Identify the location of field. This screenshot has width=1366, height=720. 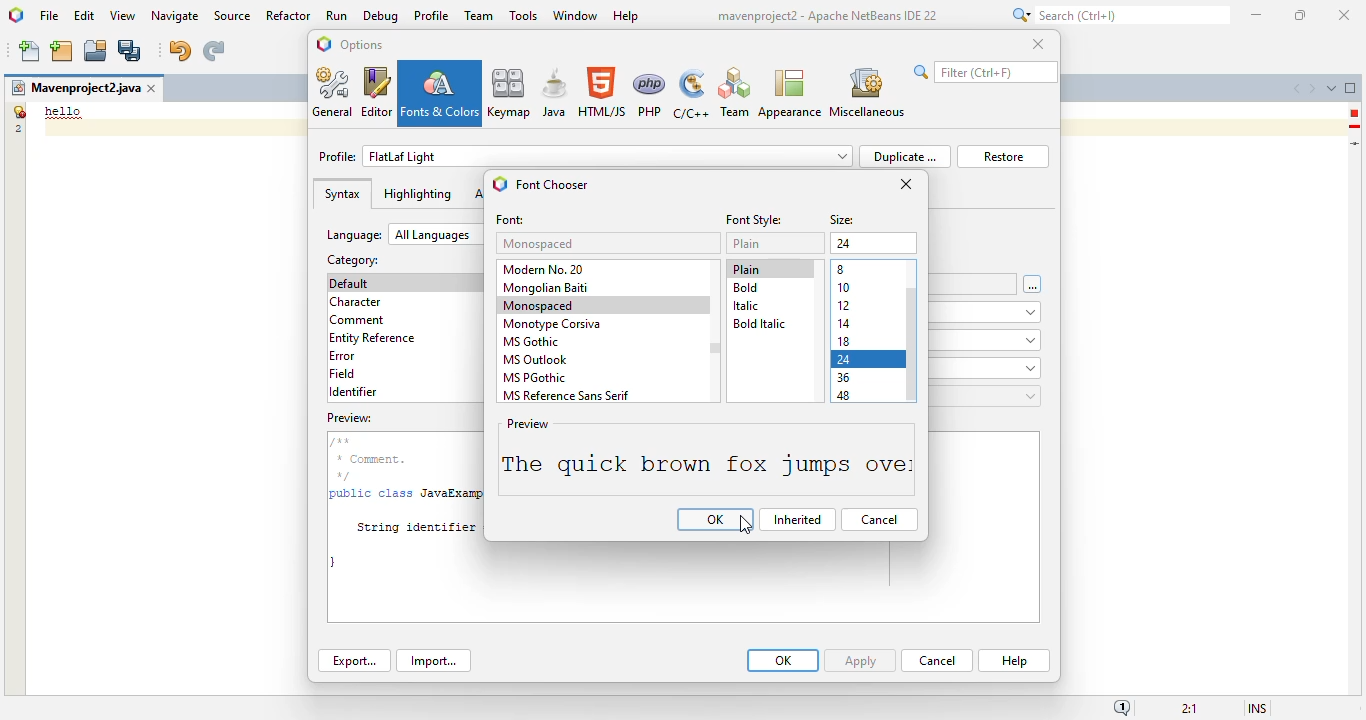
(342, 373).